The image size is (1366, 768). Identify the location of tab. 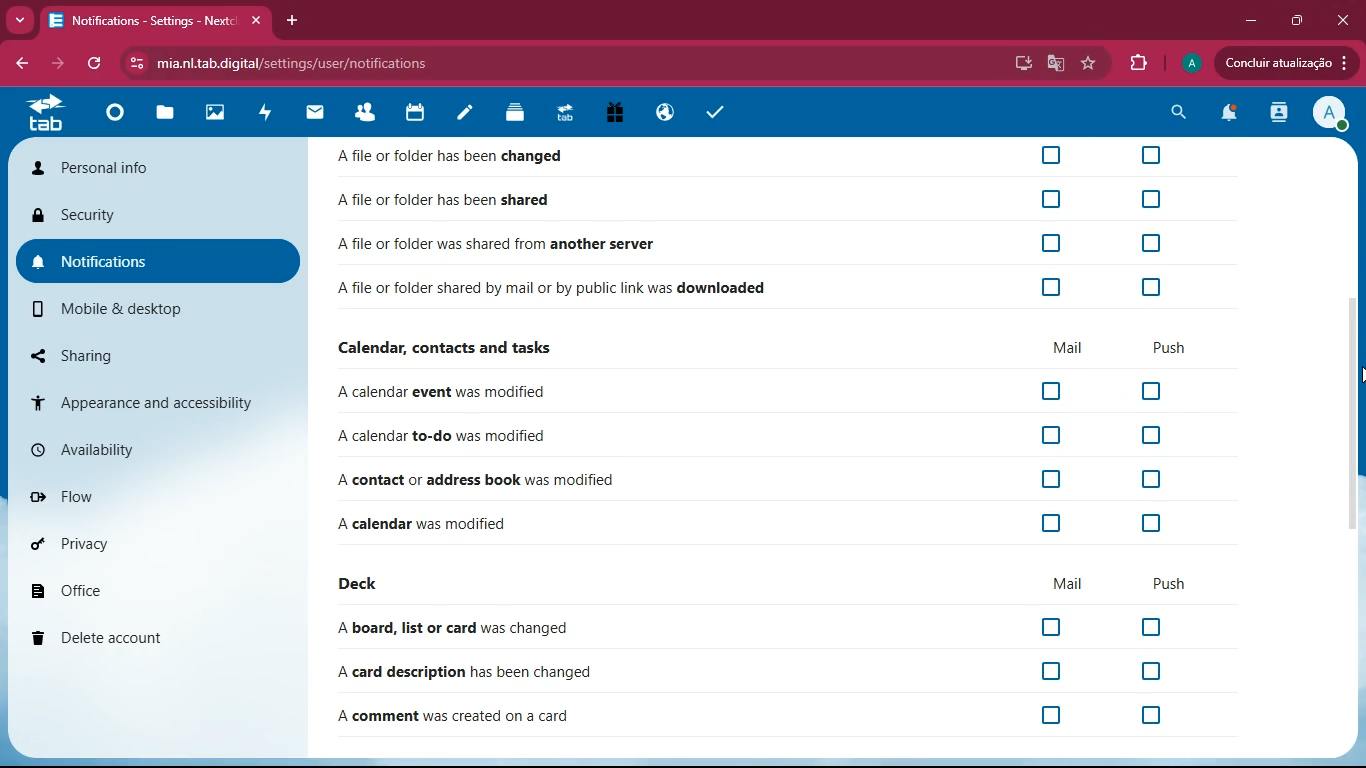
(567, 114).